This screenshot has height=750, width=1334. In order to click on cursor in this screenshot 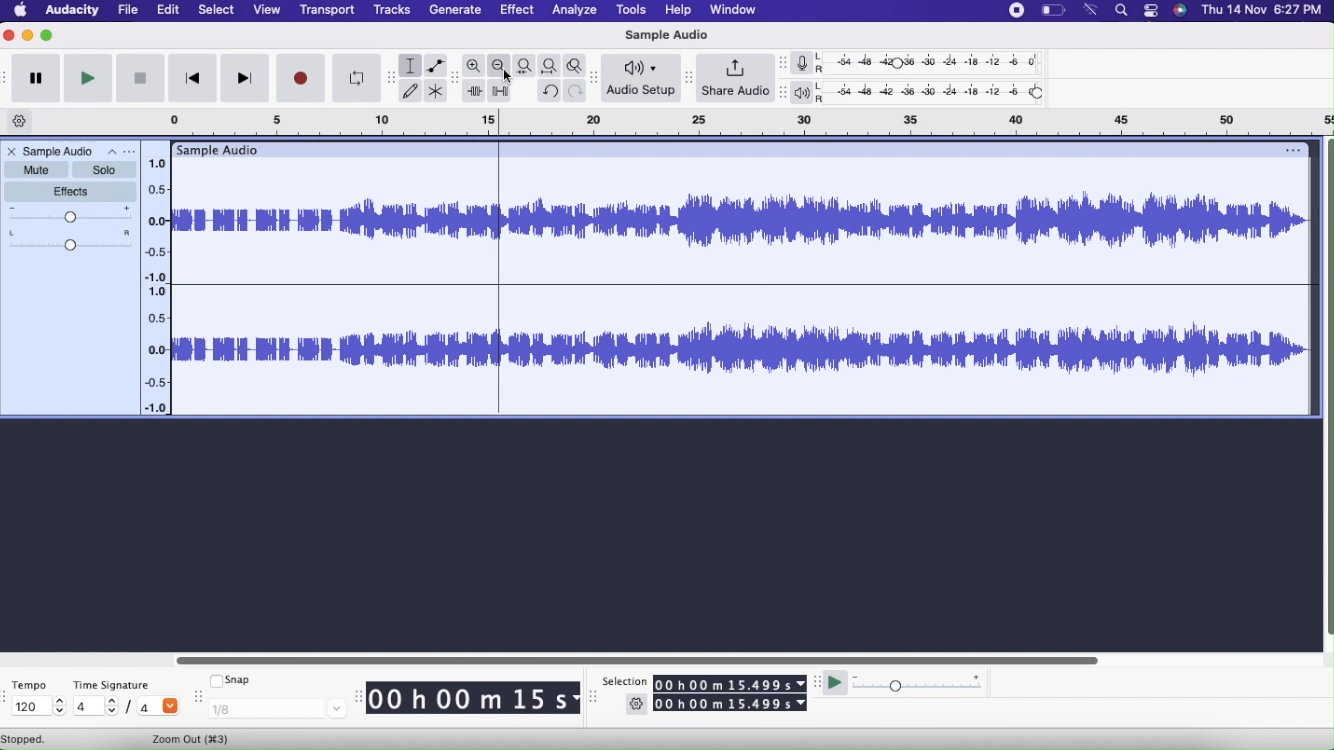, I will do `click(515, 78)`.